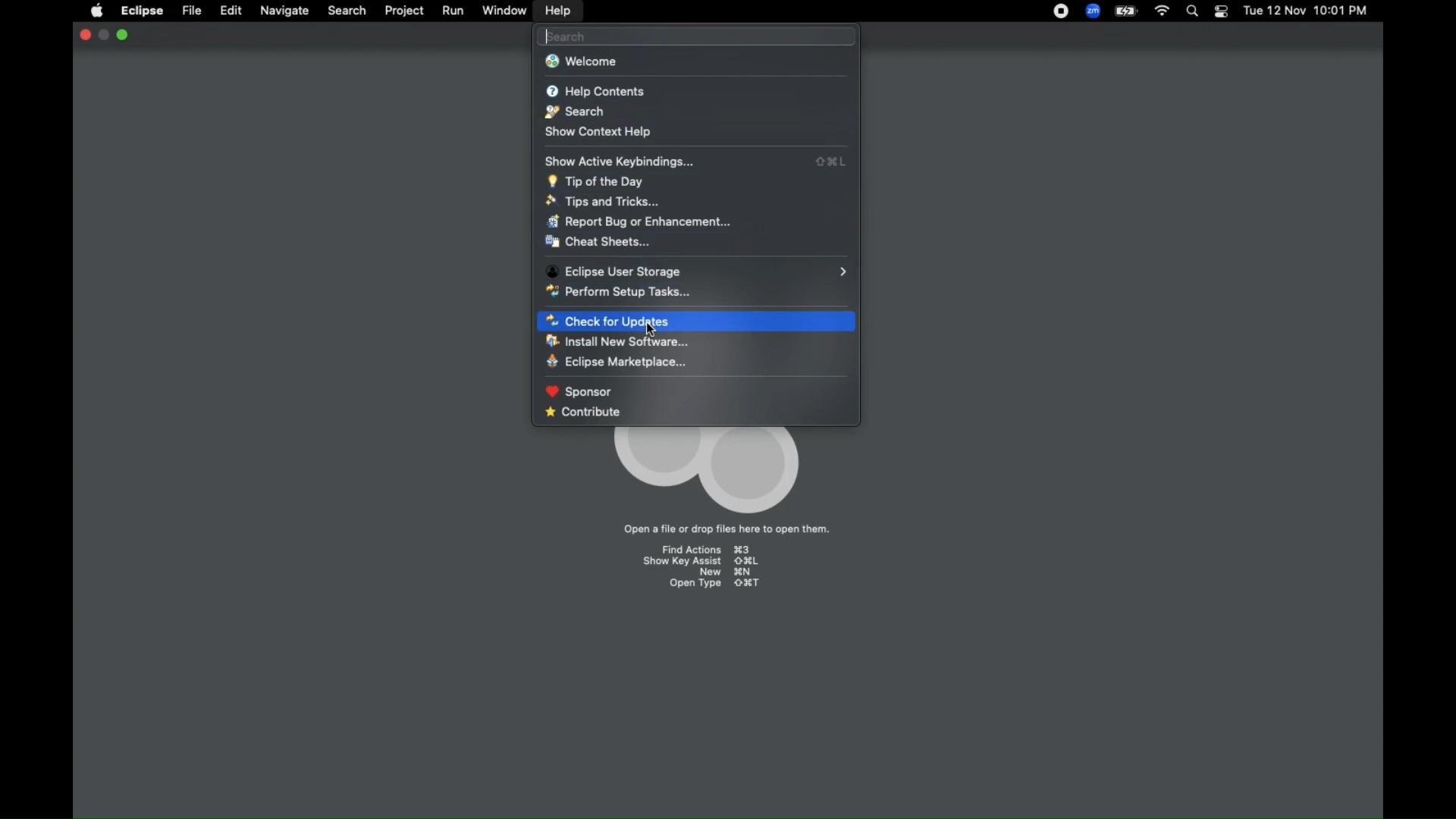 This screenshot has height=819, width=1456. Describe the element at coordinates (1343, 11) in the screenshot. I see `10:01 pm ` at that location.